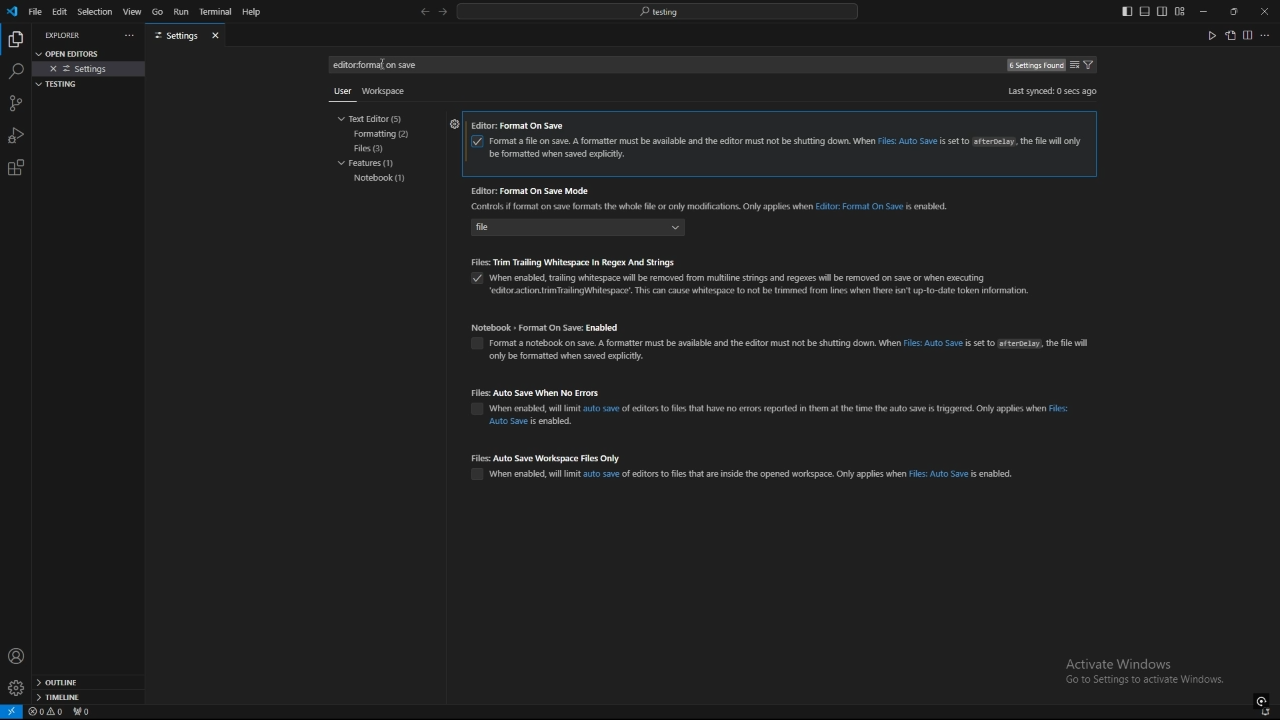 The width and height of the screenshot is (1280, 720). I want to click on testing, so click(61, 84).